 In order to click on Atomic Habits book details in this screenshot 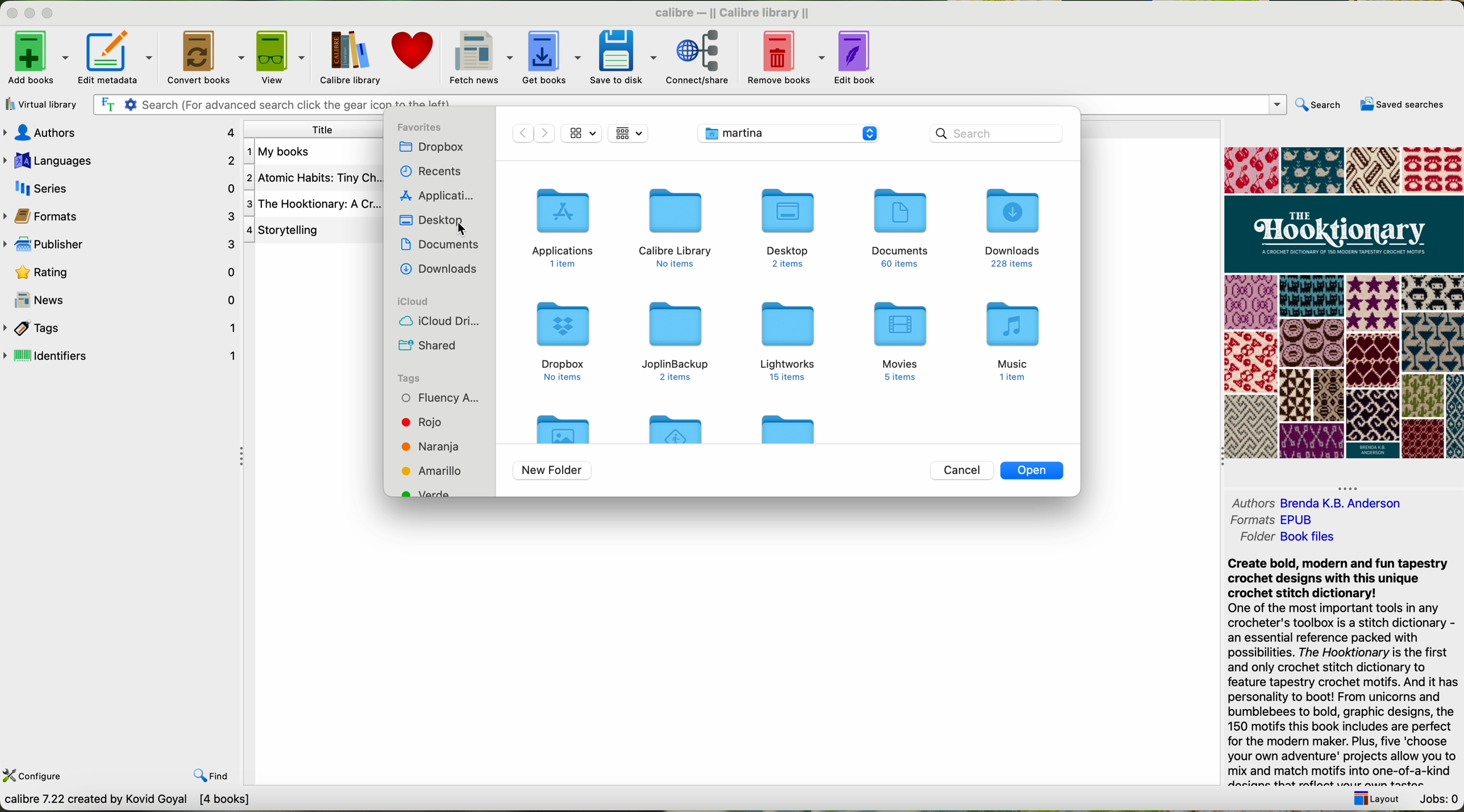, I will do `click(287, 154)`.